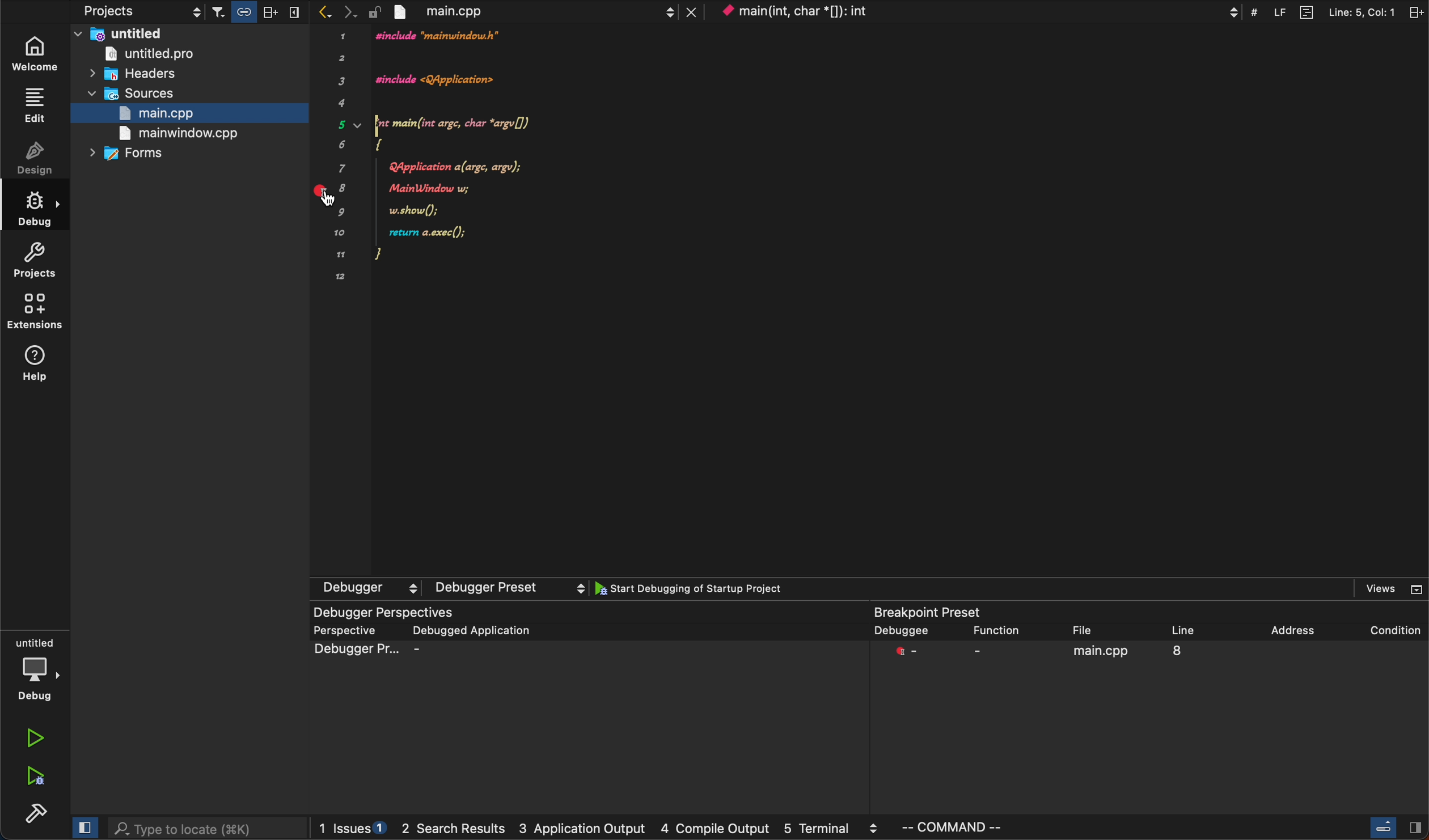  What do you see at coordinates (832, 830) in the screenshot?
I see `terminal` at bounding box center [832, 830].